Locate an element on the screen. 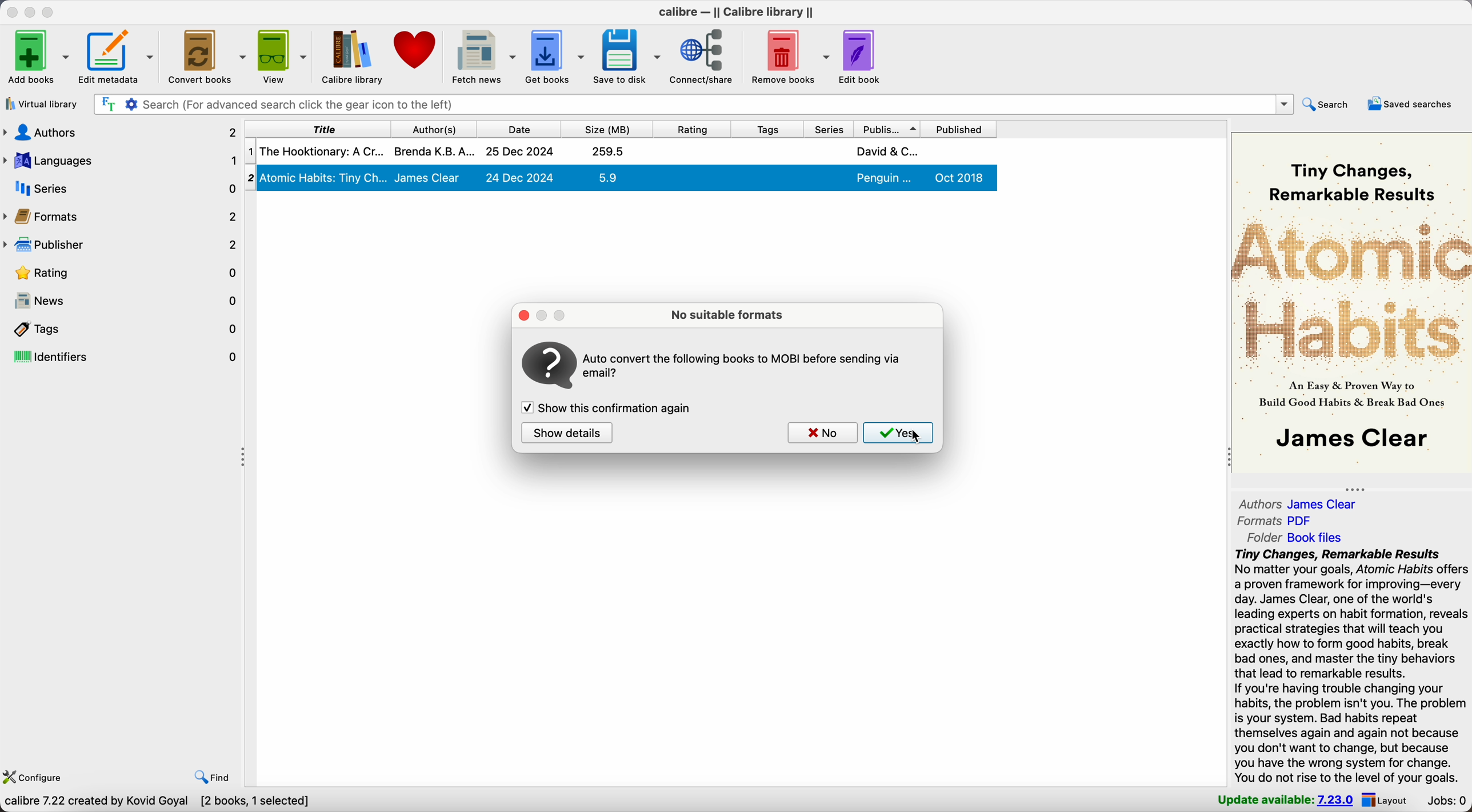 The height and width of the screenshot is (812, 1472). connect/share is located at coordinates (704, 57).